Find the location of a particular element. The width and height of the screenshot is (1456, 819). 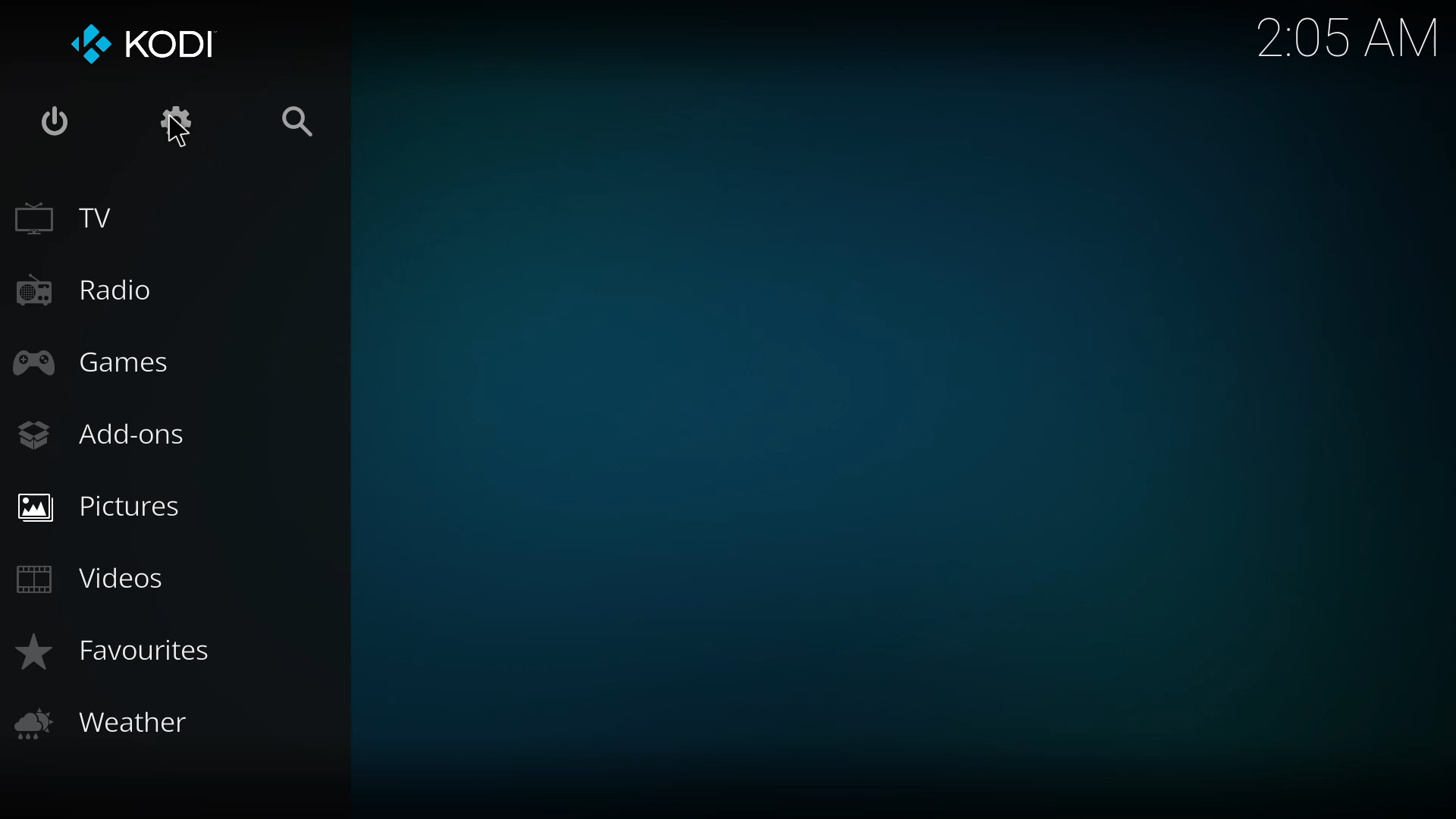

videos is located at coordinates (93, 579).